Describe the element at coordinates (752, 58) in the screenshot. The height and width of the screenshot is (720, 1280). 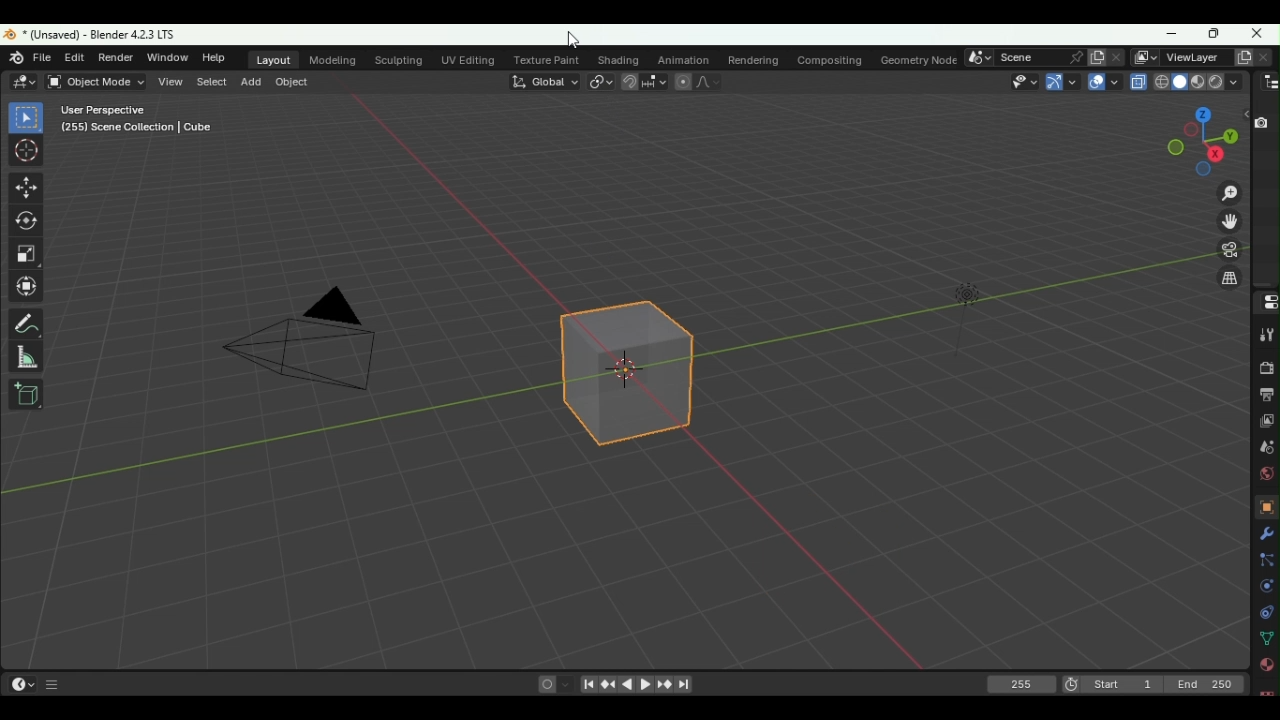
I see `Rendering` at that location.